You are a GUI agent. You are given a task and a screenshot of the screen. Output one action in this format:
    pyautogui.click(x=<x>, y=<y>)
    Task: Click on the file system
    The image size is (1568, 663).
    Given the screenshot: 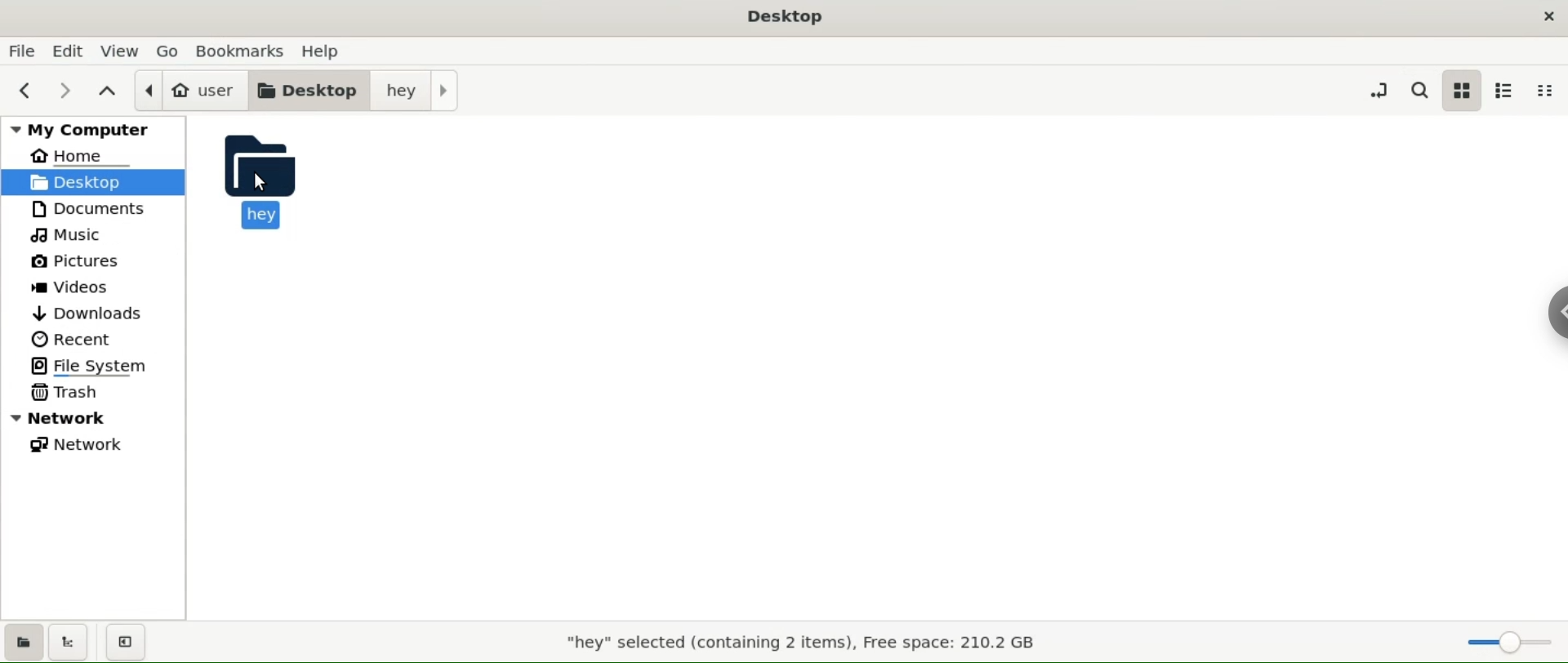 What is the action you would take?
    pyautogui.click(x=91, y=365)
    